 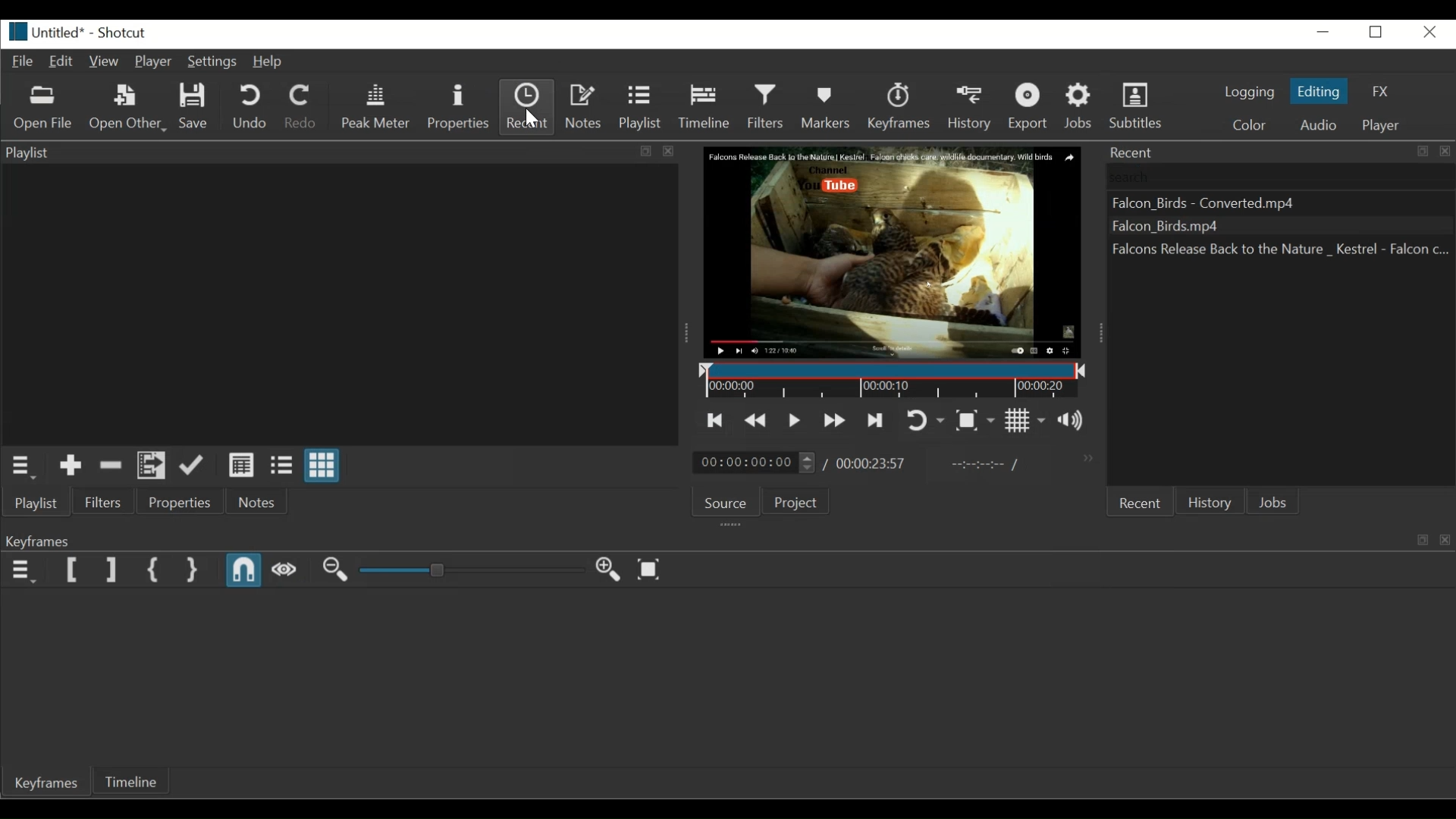 I want to click on Play forward quickly, so click(x=836, y=420).